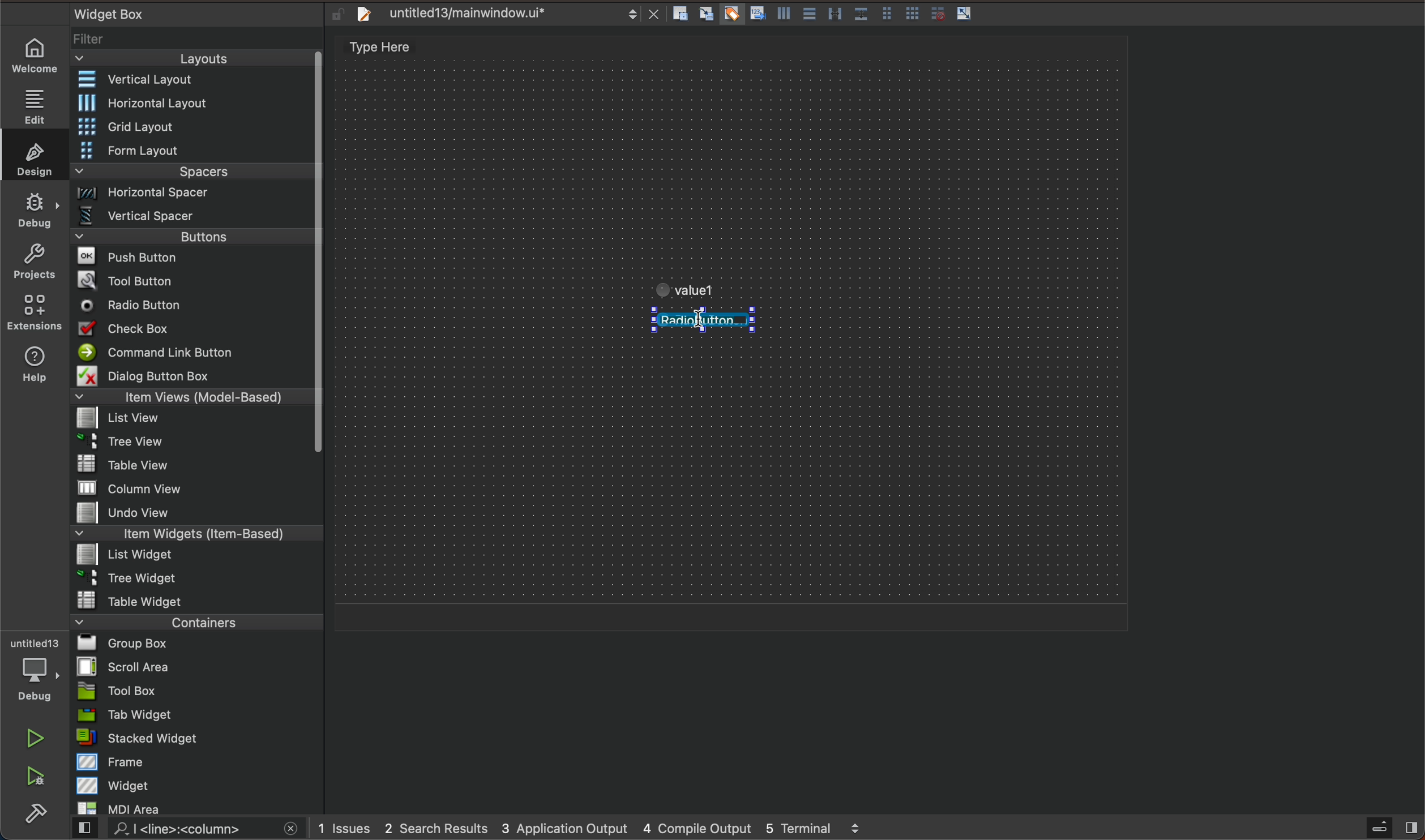 Image resolution: width=1425 pixels, height=840 pixels. Describe the element at coordinates (392, 49) in the screenshot. I see `type here` at that location.